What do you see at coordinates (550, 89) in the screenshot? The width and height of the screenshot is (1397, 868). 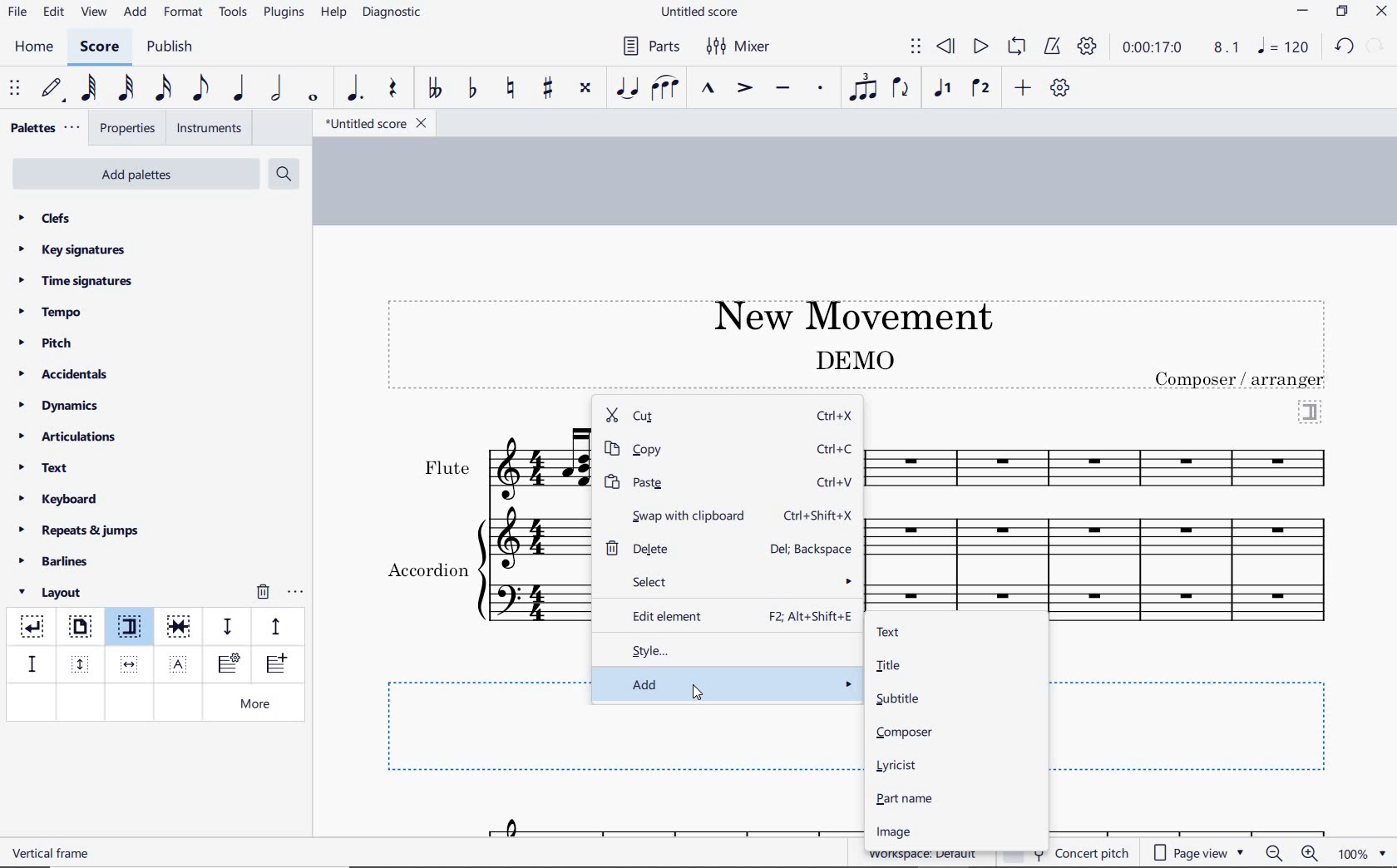 I see `toggle sharp` at bounding box center [550, 89].